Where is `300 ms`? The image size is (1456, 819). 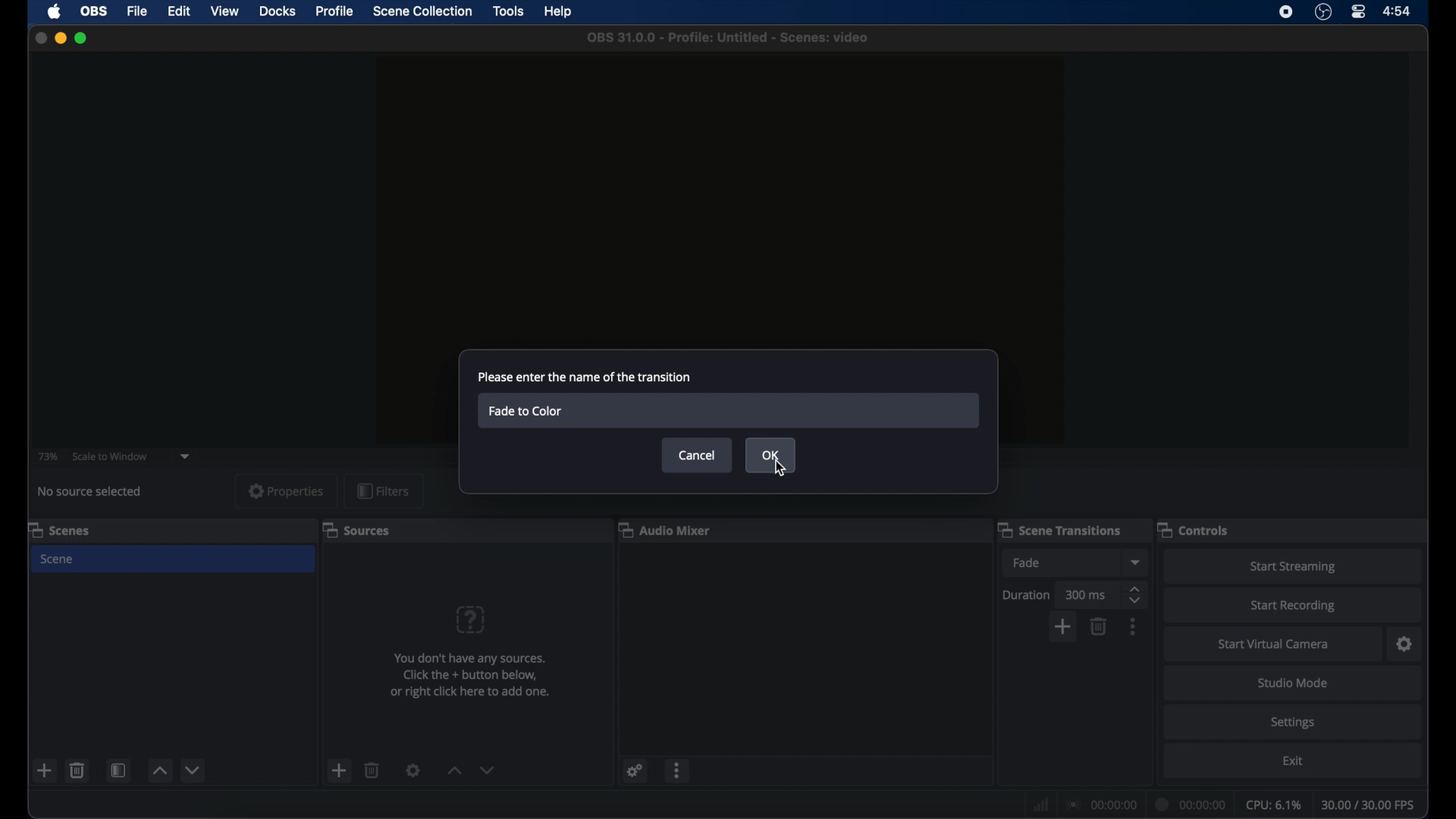
300 ms is located at coordinates (1086, 595).